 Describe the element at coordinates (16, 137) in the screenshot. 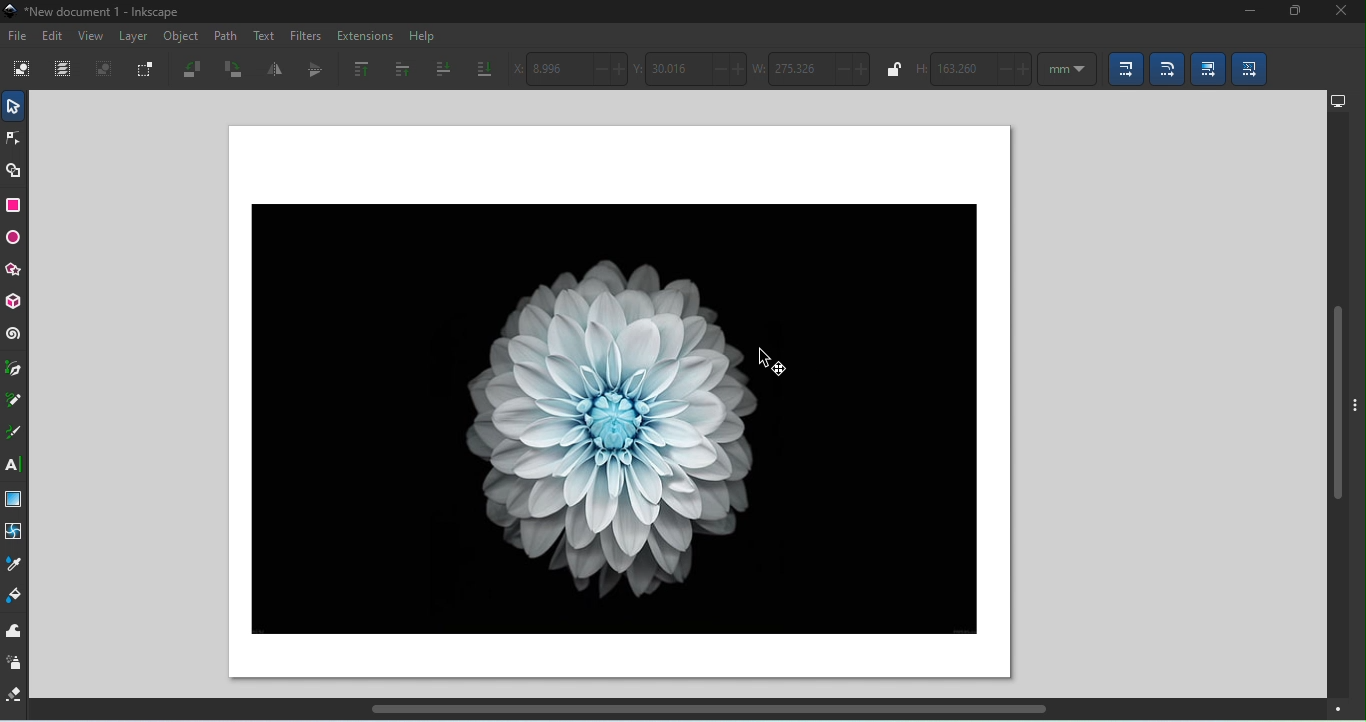

I see `Node tool` at that location.